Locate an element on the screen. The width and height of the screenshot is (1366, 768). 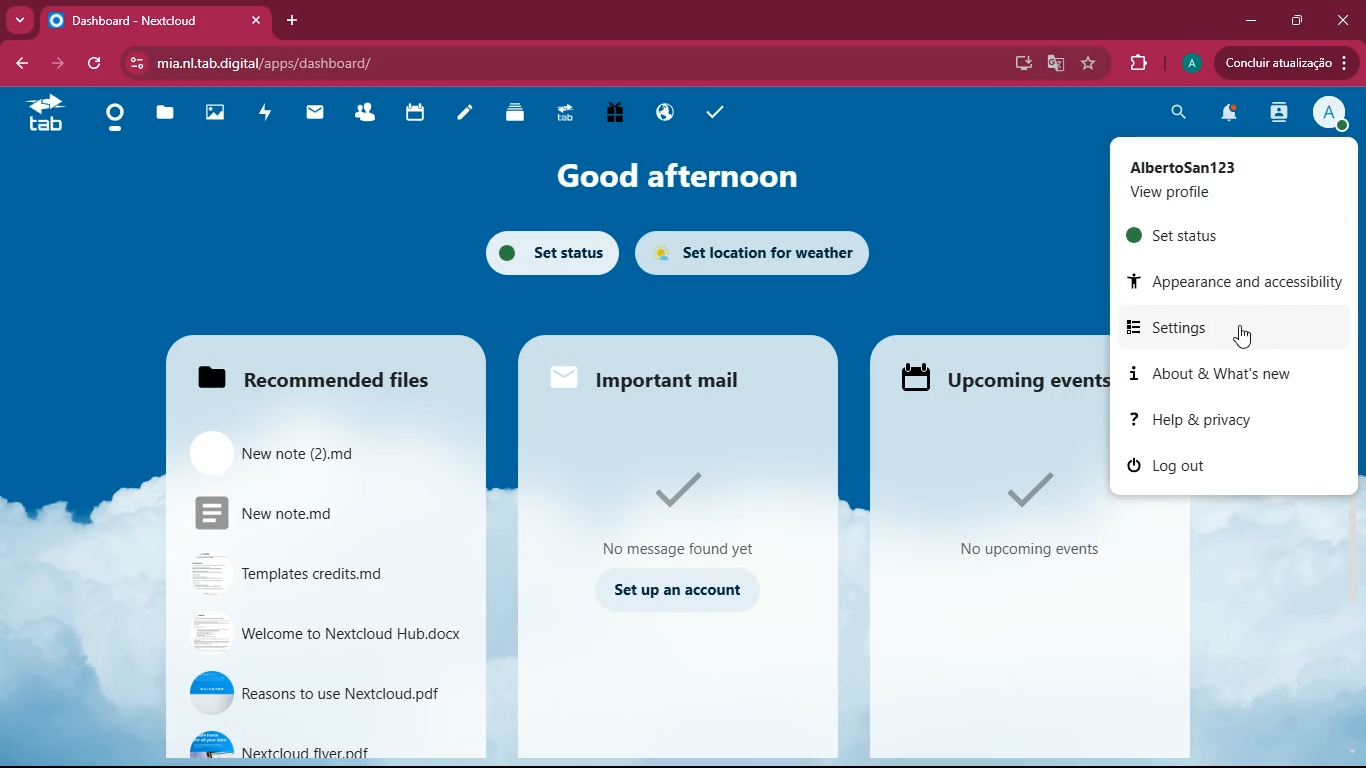
calendar is located at coordinates (415, 112).